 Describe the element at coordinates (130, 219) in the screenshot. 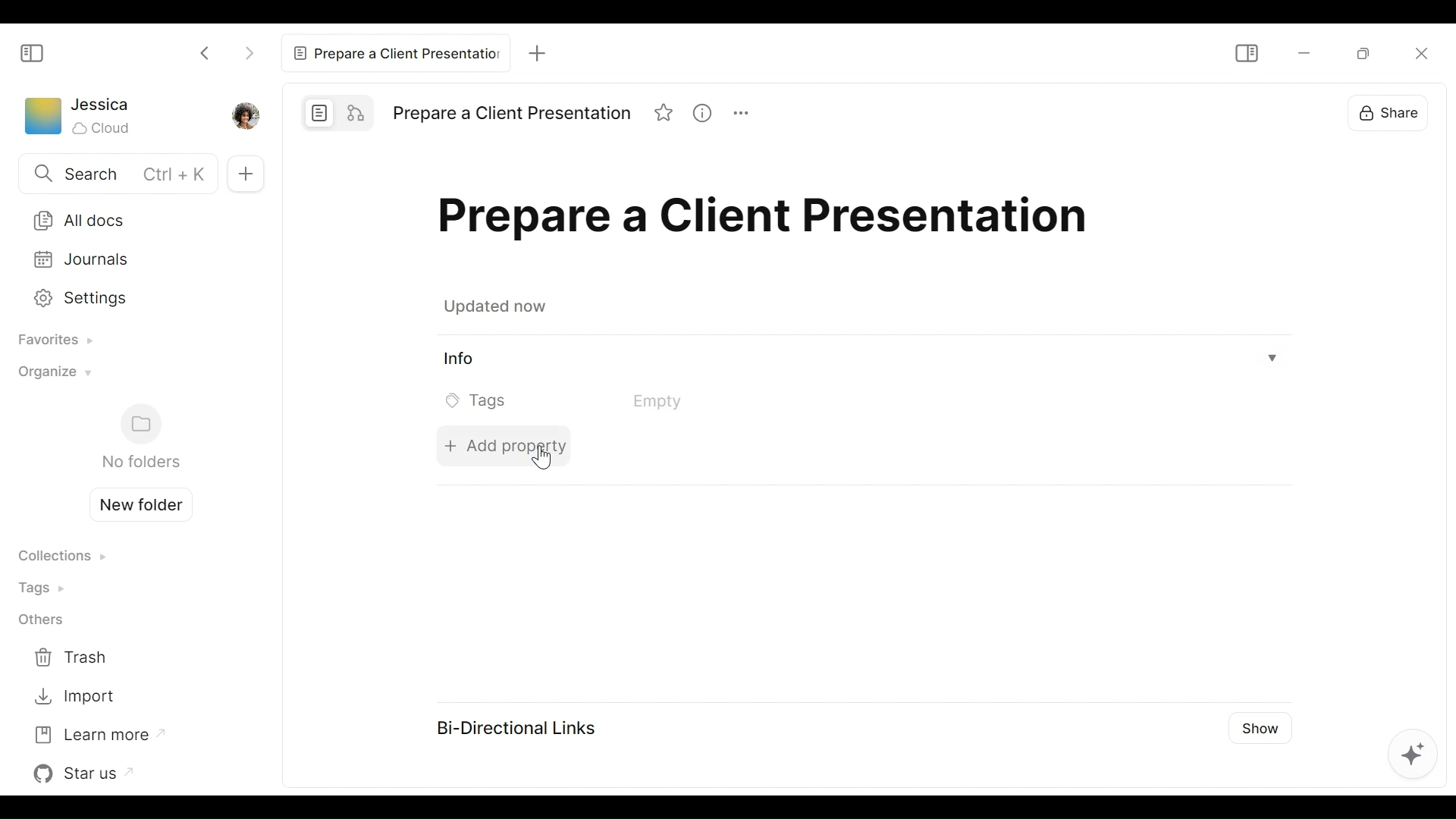

I see `All Documents` at that location.